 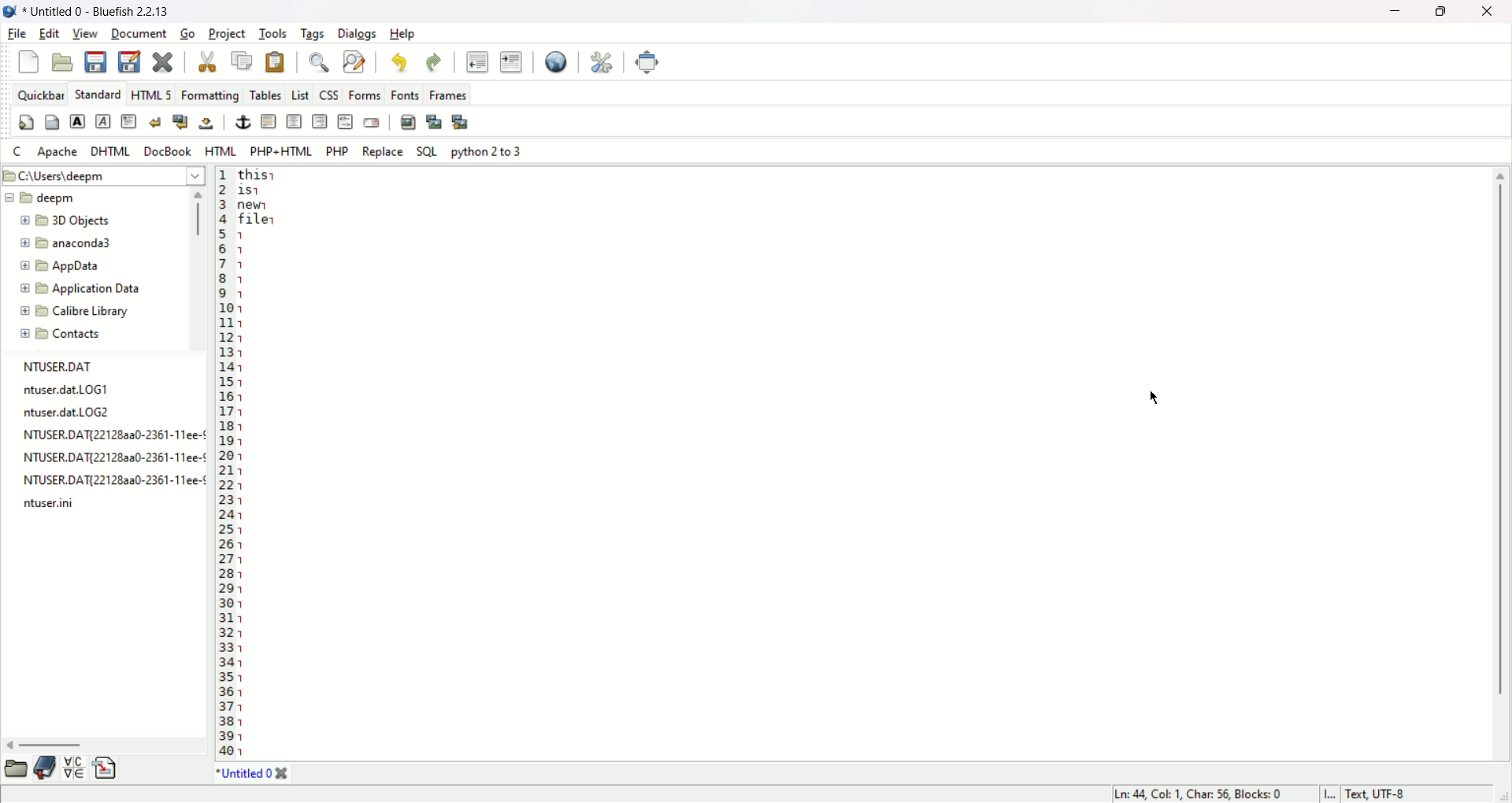 I want to click on PHP, so click(x=340, y=150).